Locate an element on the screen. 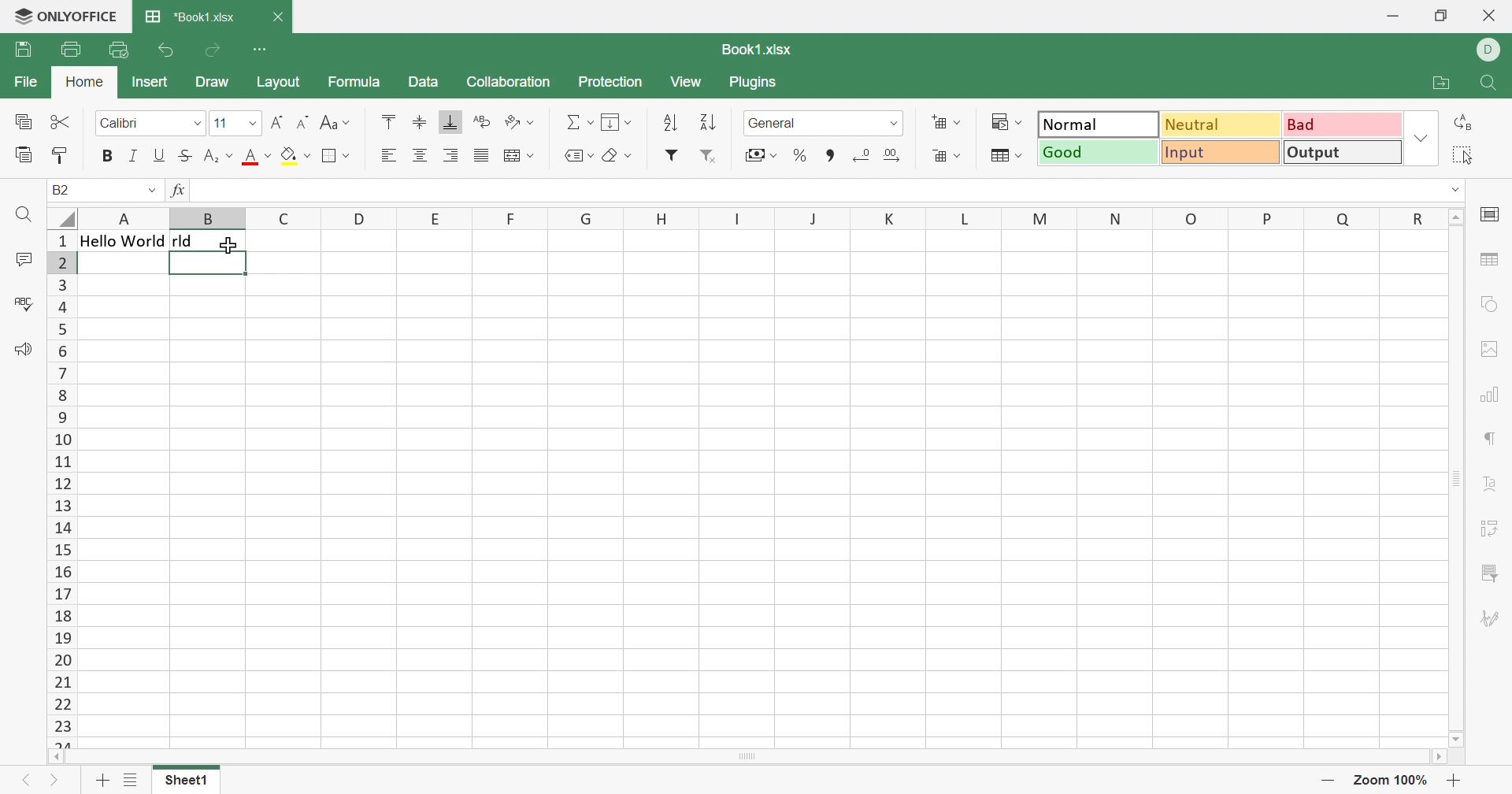 The image size is (1512, 794). Neutral is located at coordinates (1220, 126).